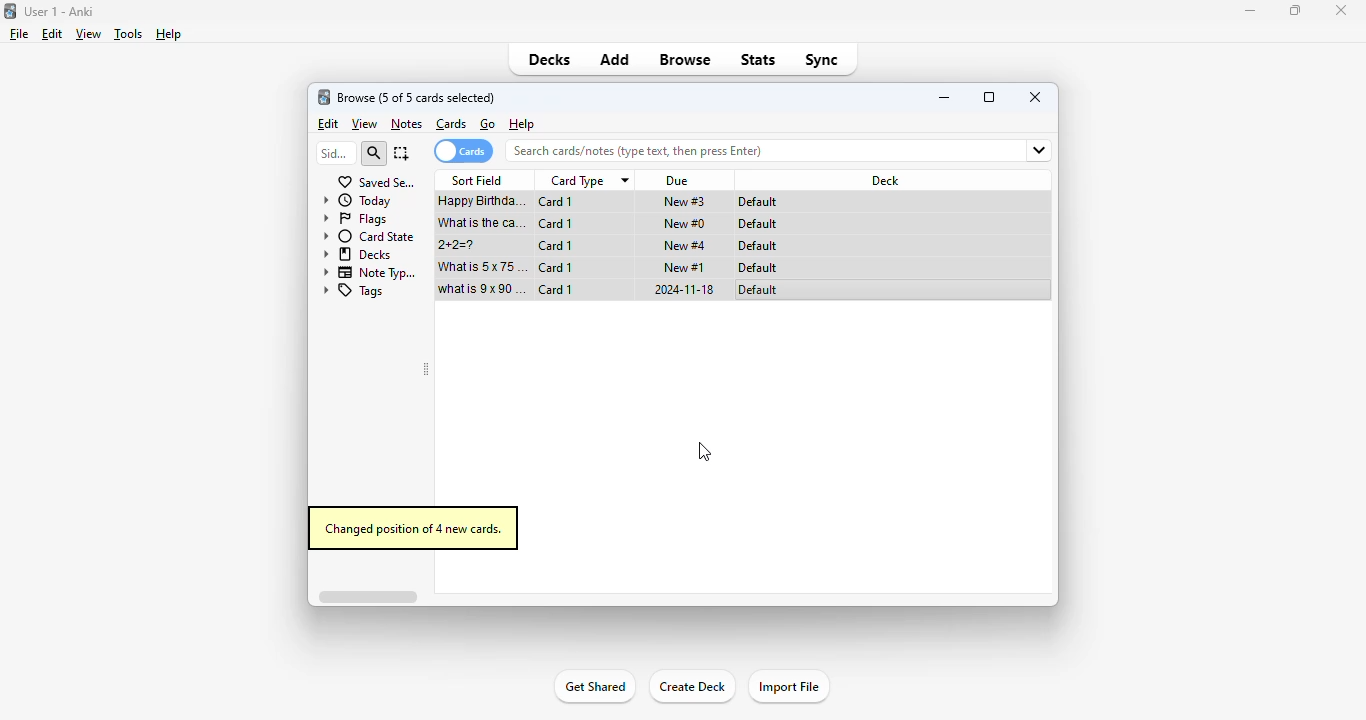  What do you see at coordinates (685, 245) in the screenshot?
I see `new #4` at bounding box center [685, 245].